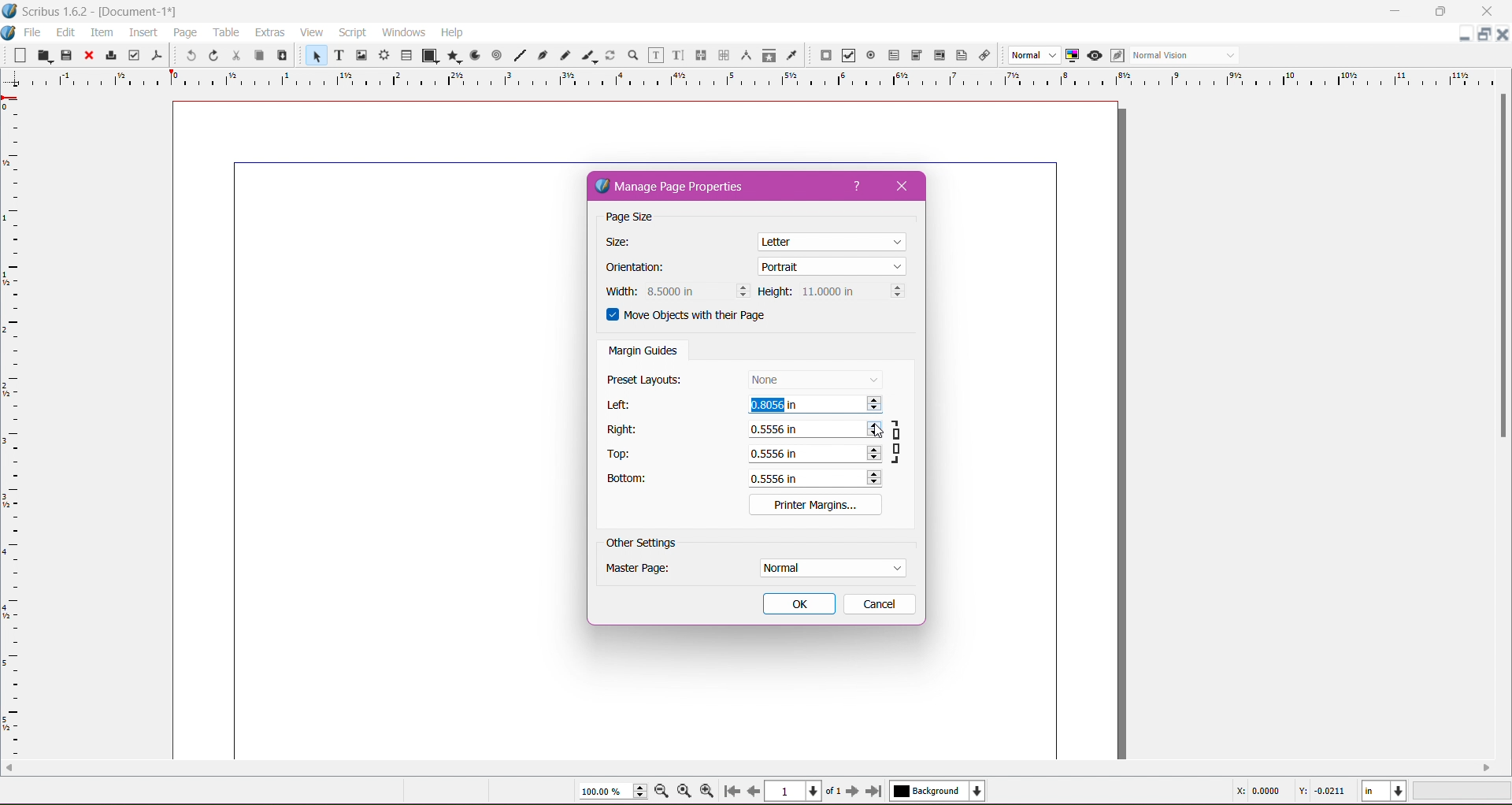 The image size is (1512, 805). Describe the element at coordinates (642, 543) in the screenshot. I see `Other Settings` at that location.